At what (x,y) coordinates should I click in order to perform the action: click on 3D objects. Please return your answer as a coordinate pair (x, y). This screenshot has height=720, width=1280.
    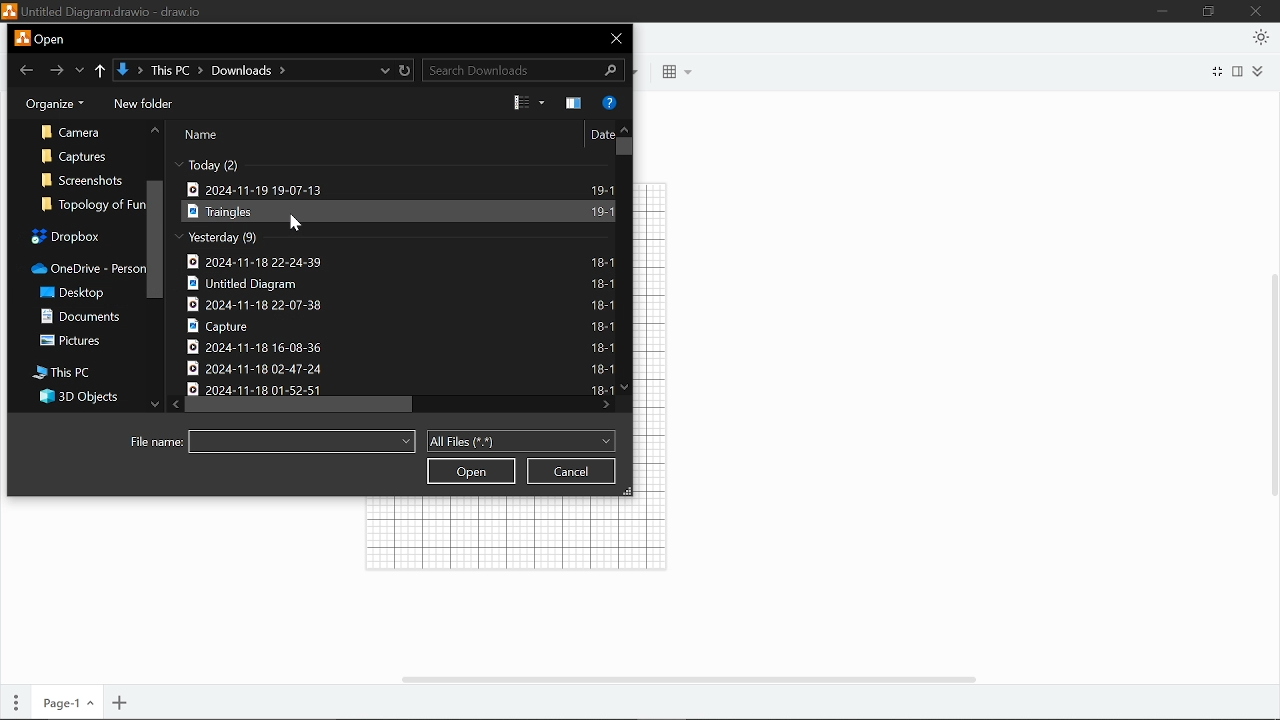
    Looking at the image, I should click on (76, 400).